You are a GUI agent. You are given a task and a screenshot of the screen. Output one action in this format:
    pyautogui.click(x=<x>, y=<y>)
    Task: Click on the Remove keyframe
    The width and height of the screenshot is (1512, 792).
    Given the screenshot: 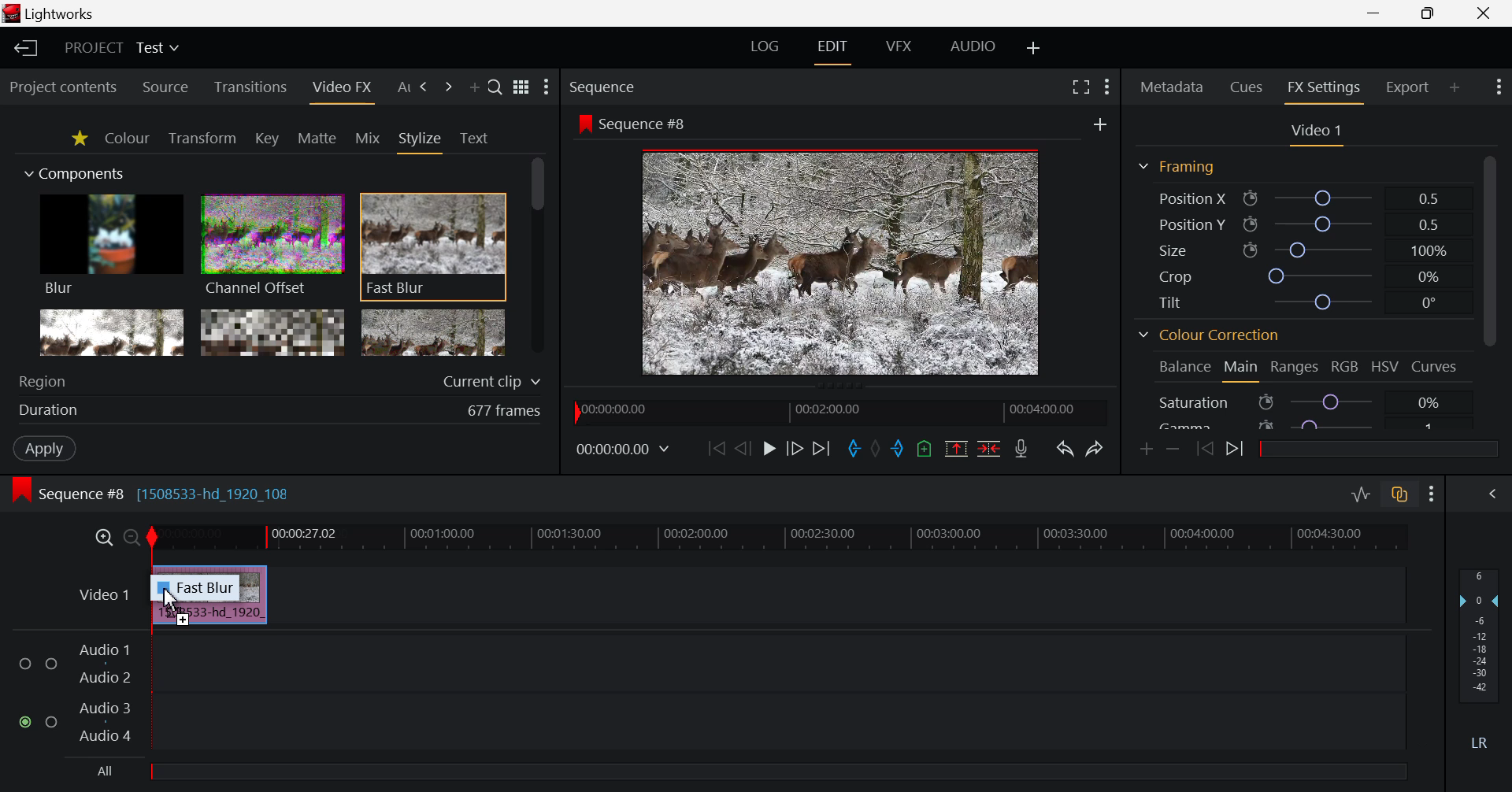 What is the action you would take?
    pyautogui.click(x=1173, y=452)
    